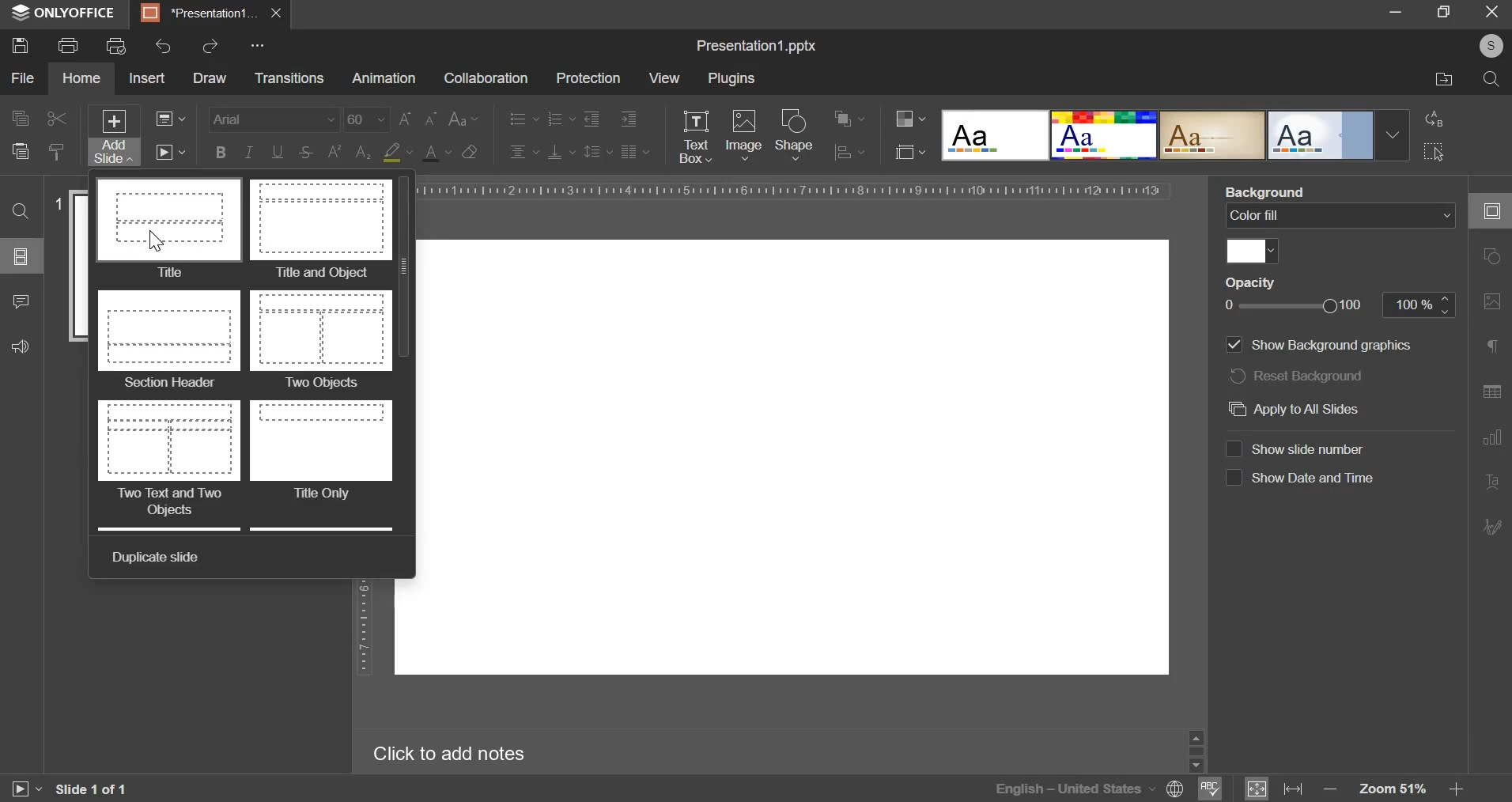  Describe the element at coordinates (1497, 522) in the screenshot. I see `draw tools` at that location.